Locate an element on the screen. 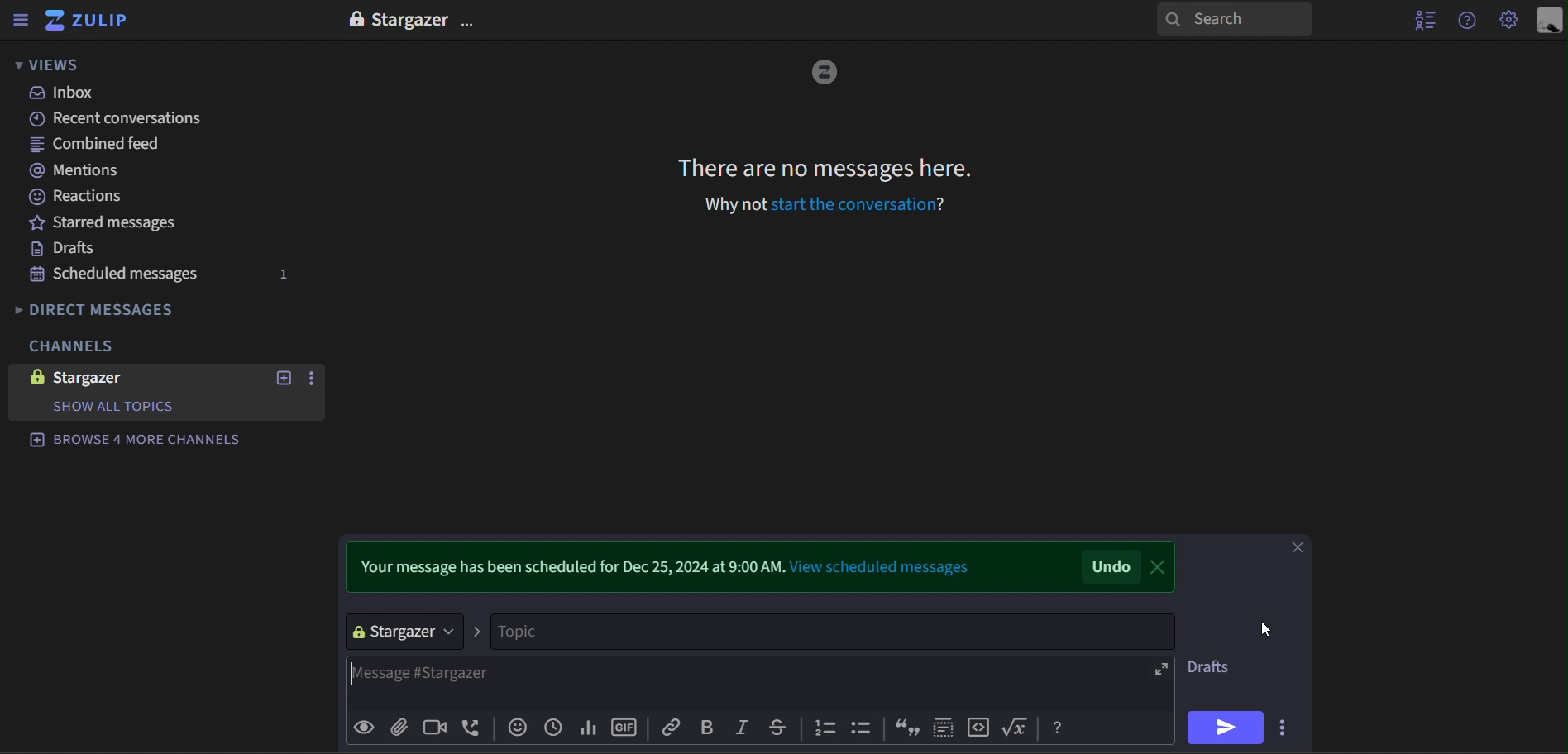  Settings is located at coordinates (1508, 21).